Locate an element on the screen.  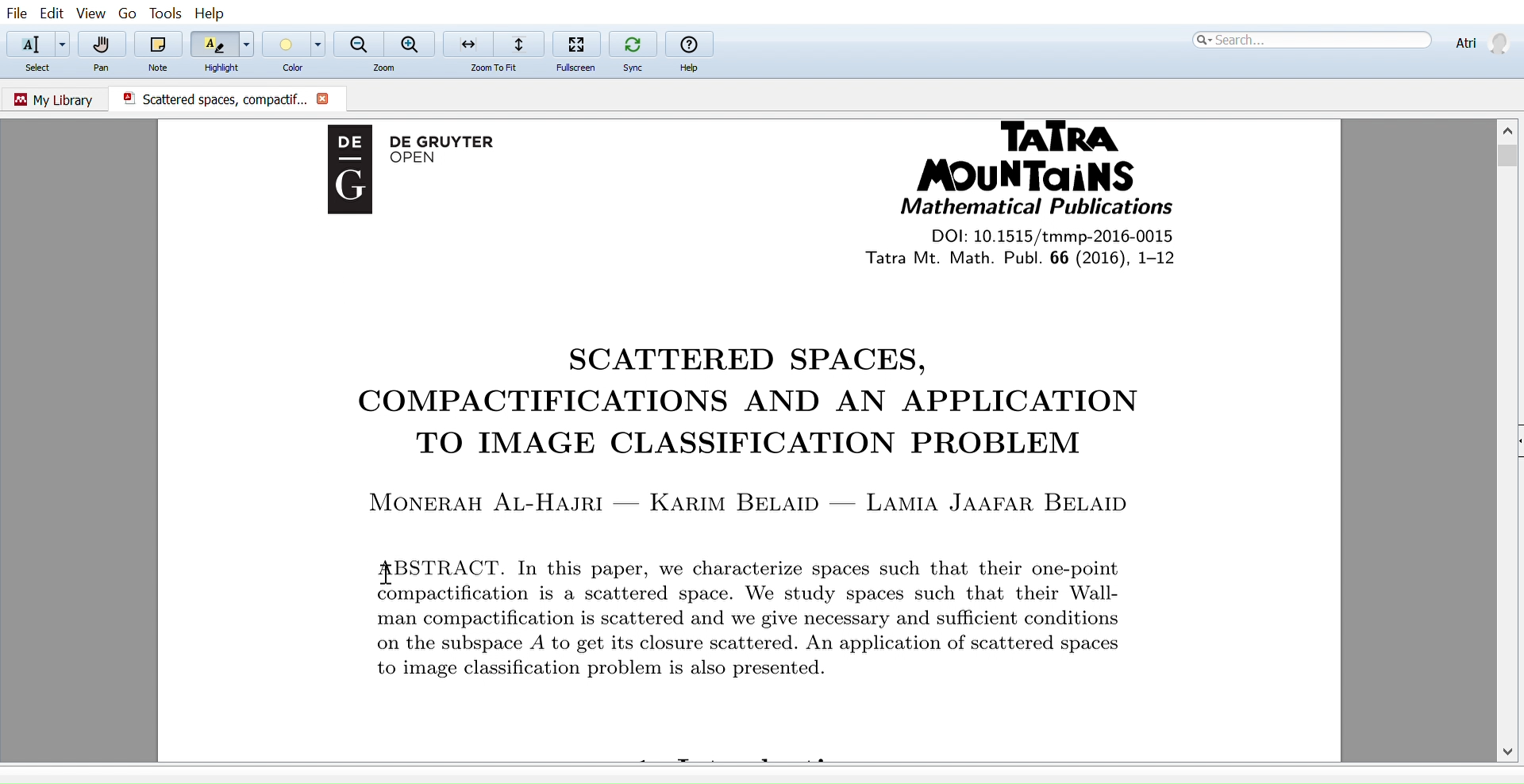
help is located at coordinates (689, 44).